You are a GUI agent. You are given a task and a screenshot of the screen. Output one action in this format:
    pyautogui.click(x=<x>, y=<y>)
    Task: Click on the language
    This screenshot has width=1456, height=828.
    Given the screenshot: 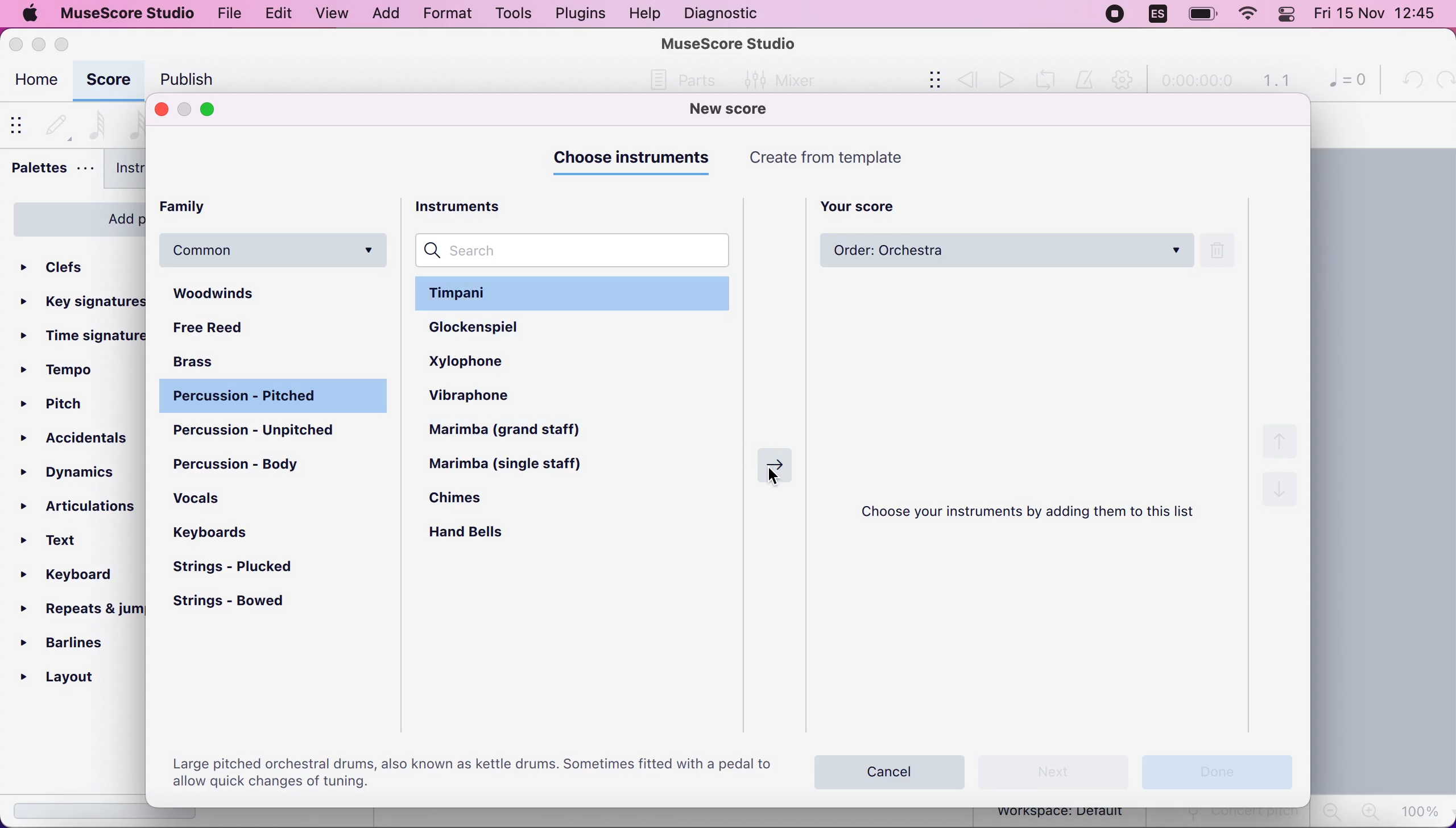 What is the action you would take?
    pyautogui.click(x=1157, y=14)
    